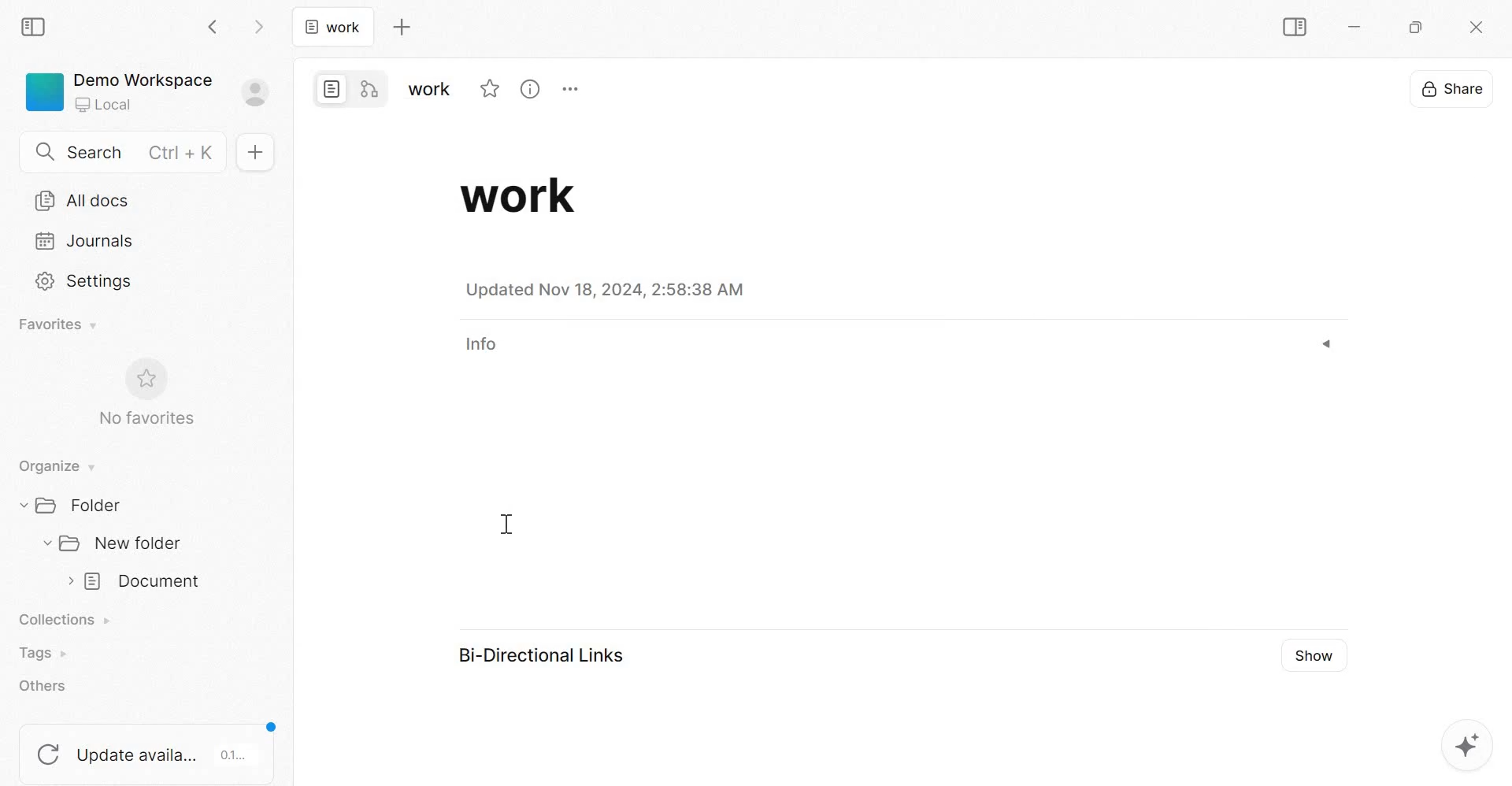 This screenshot has height=786, width=1512. I want to click on edgeless mode, so click(367, 89).